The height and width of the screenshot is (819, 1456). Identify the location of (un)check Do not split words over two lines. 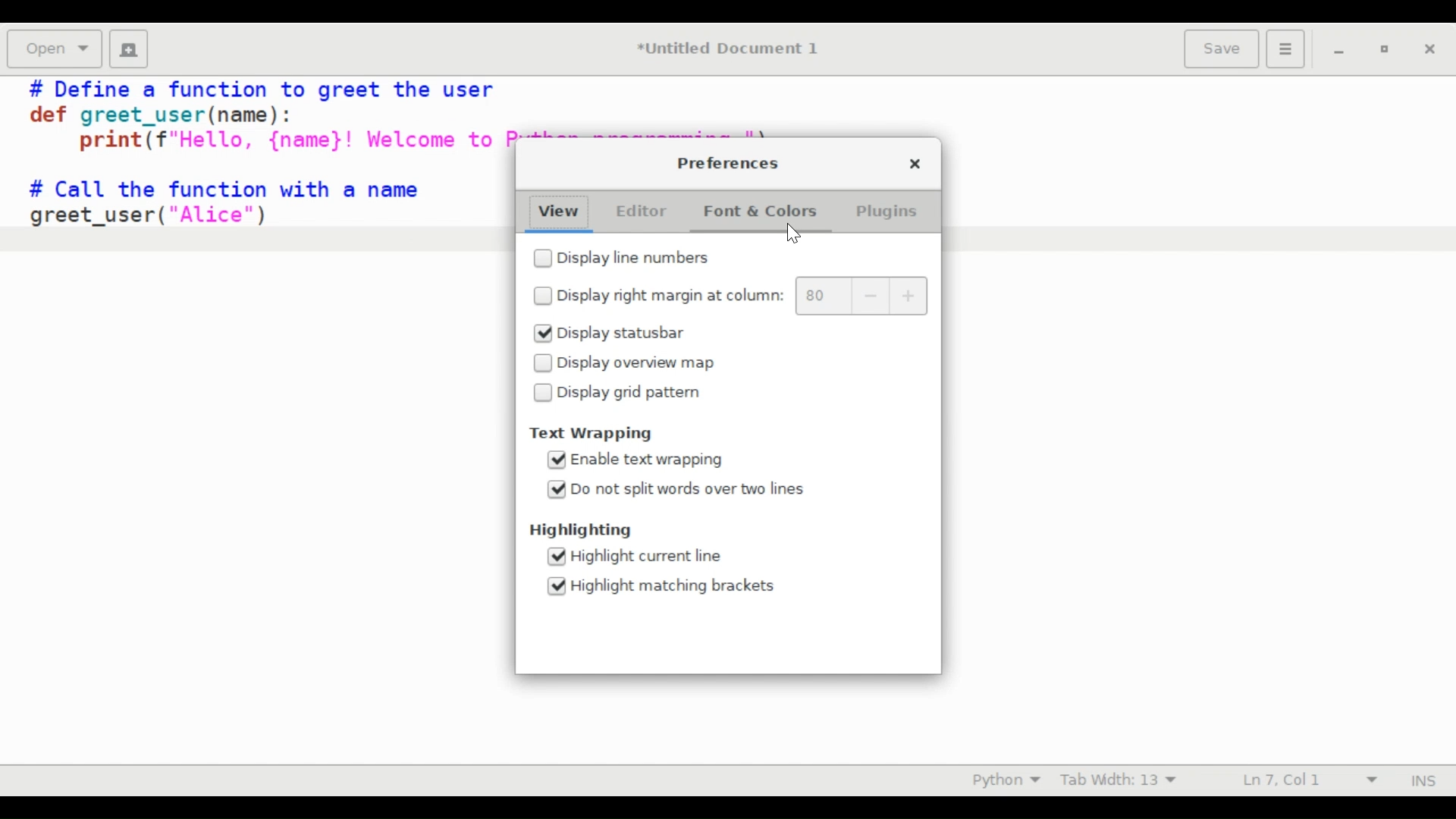
(679, 489).